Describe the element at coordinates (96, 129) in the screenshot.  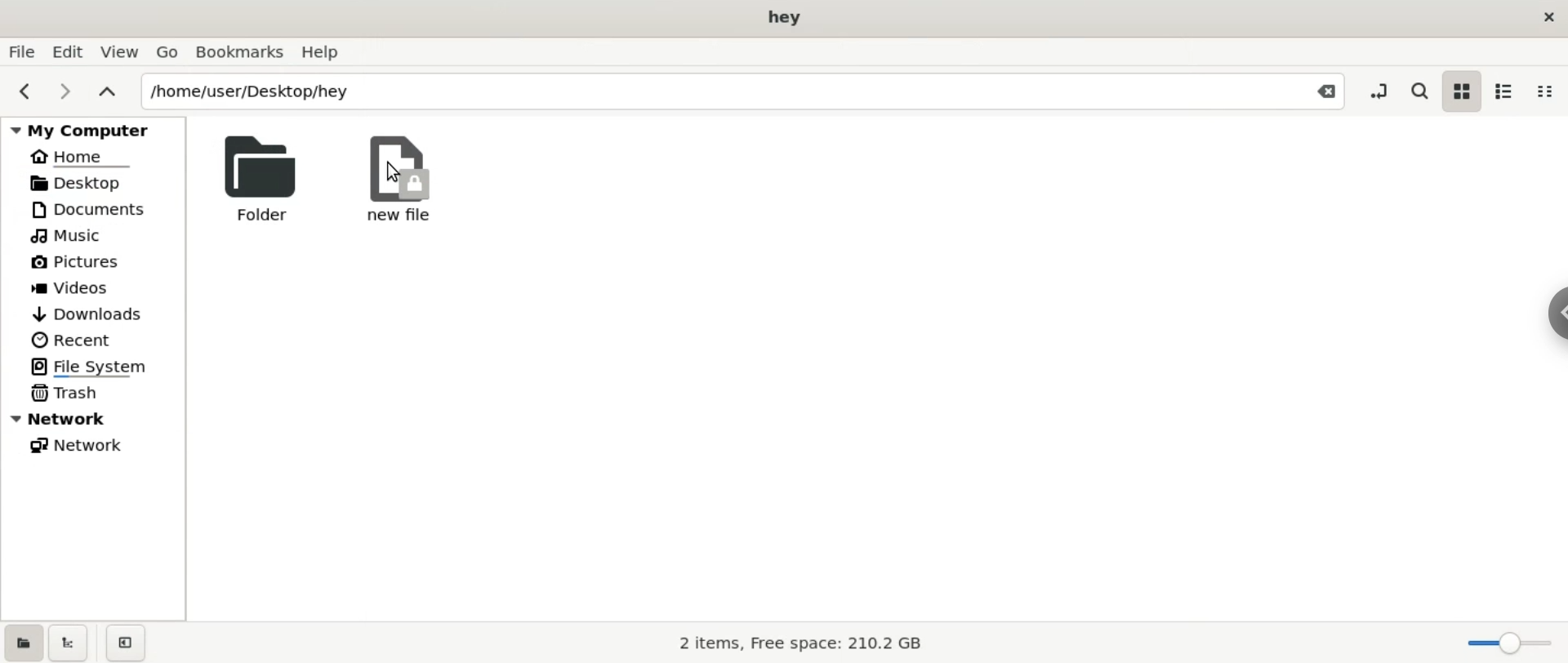
I see `My Computer` at that location.